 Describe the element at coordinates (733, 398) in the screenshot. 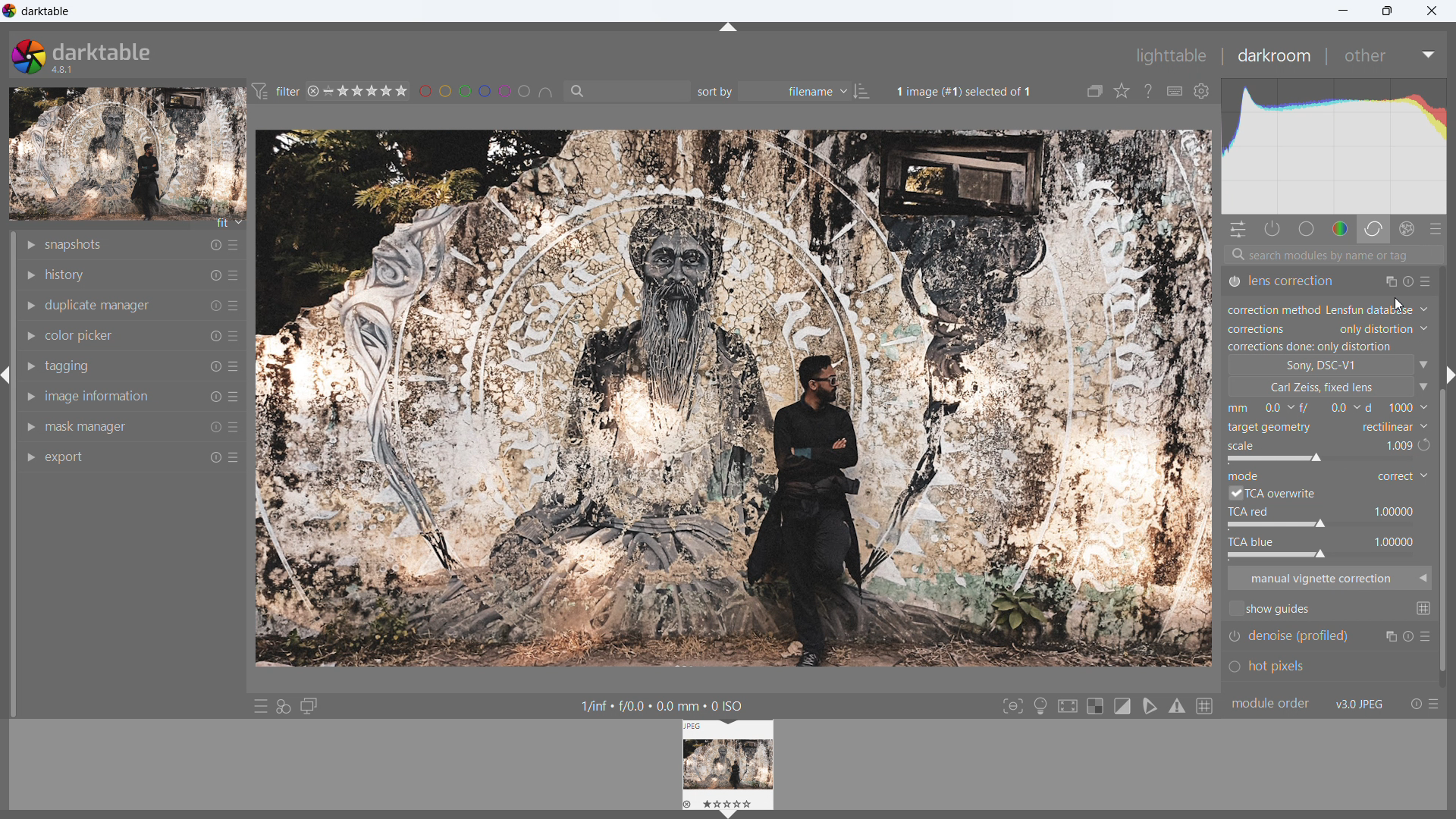

I see `image updated` at that location.